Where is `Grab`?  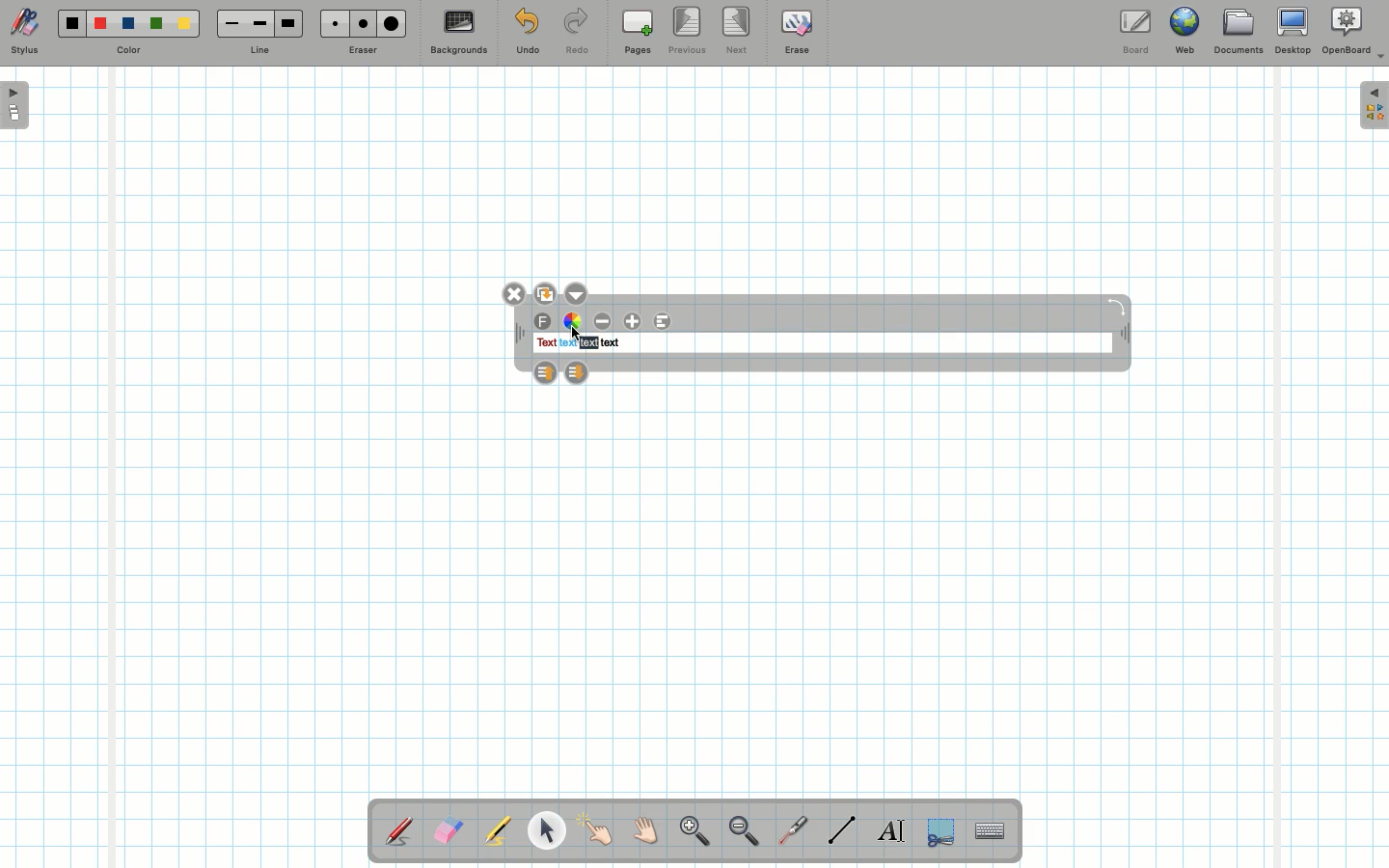 Grab is located at coordinates (646, 833).